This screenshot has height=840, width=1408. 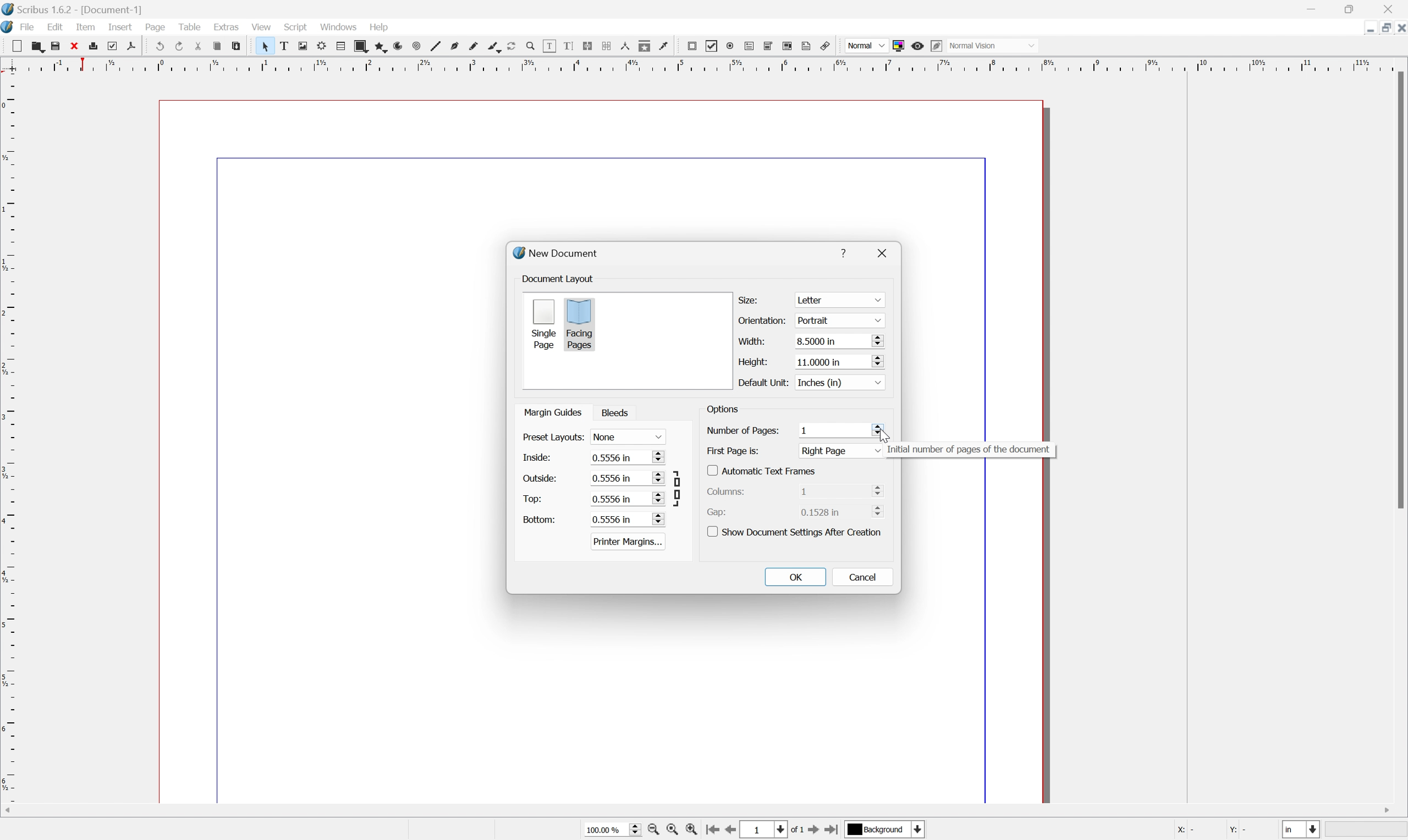 I want to click on none, so click(x=630, y=437).